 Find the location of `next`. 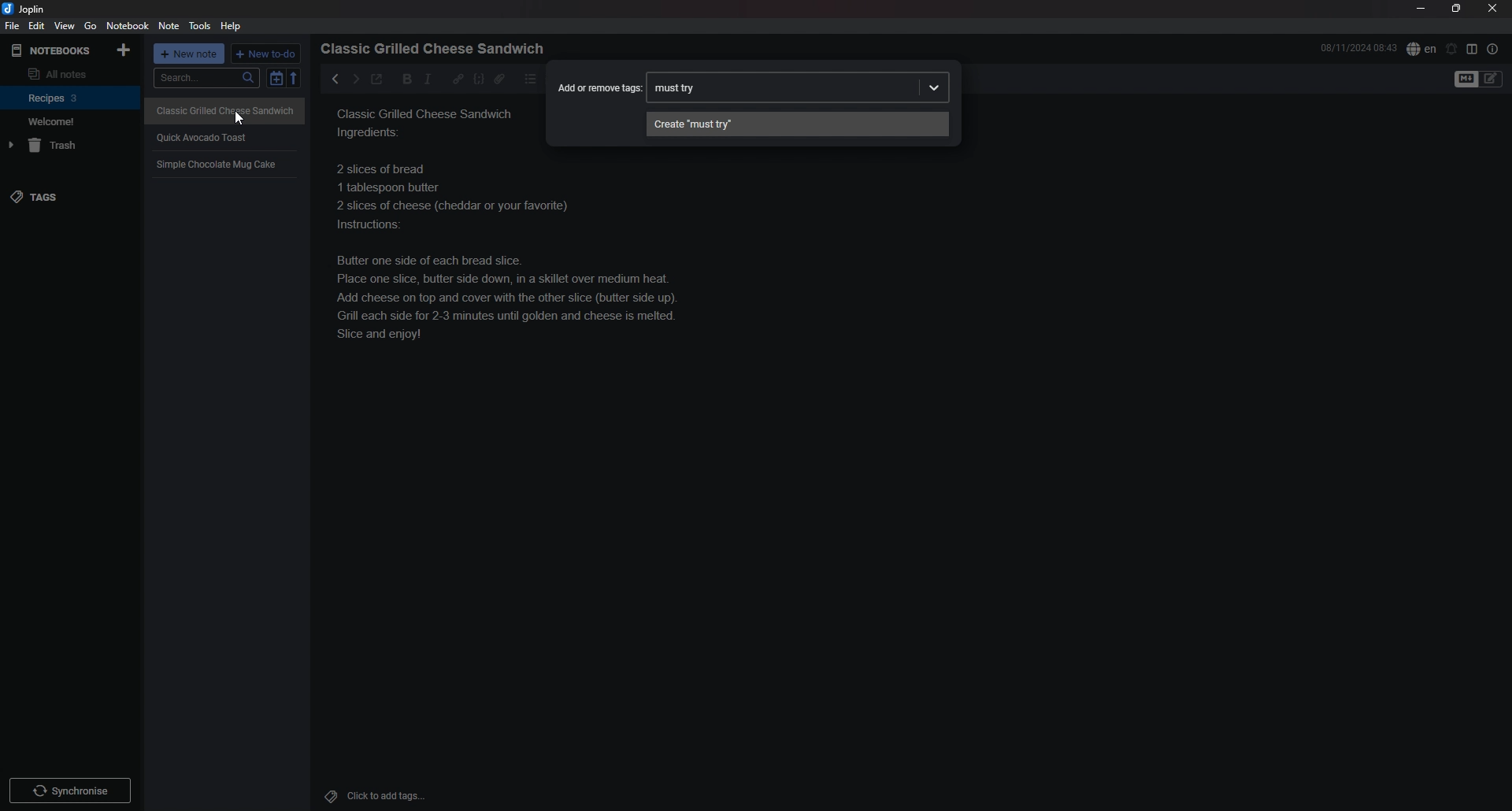

next is located at coordinates (354, 79).